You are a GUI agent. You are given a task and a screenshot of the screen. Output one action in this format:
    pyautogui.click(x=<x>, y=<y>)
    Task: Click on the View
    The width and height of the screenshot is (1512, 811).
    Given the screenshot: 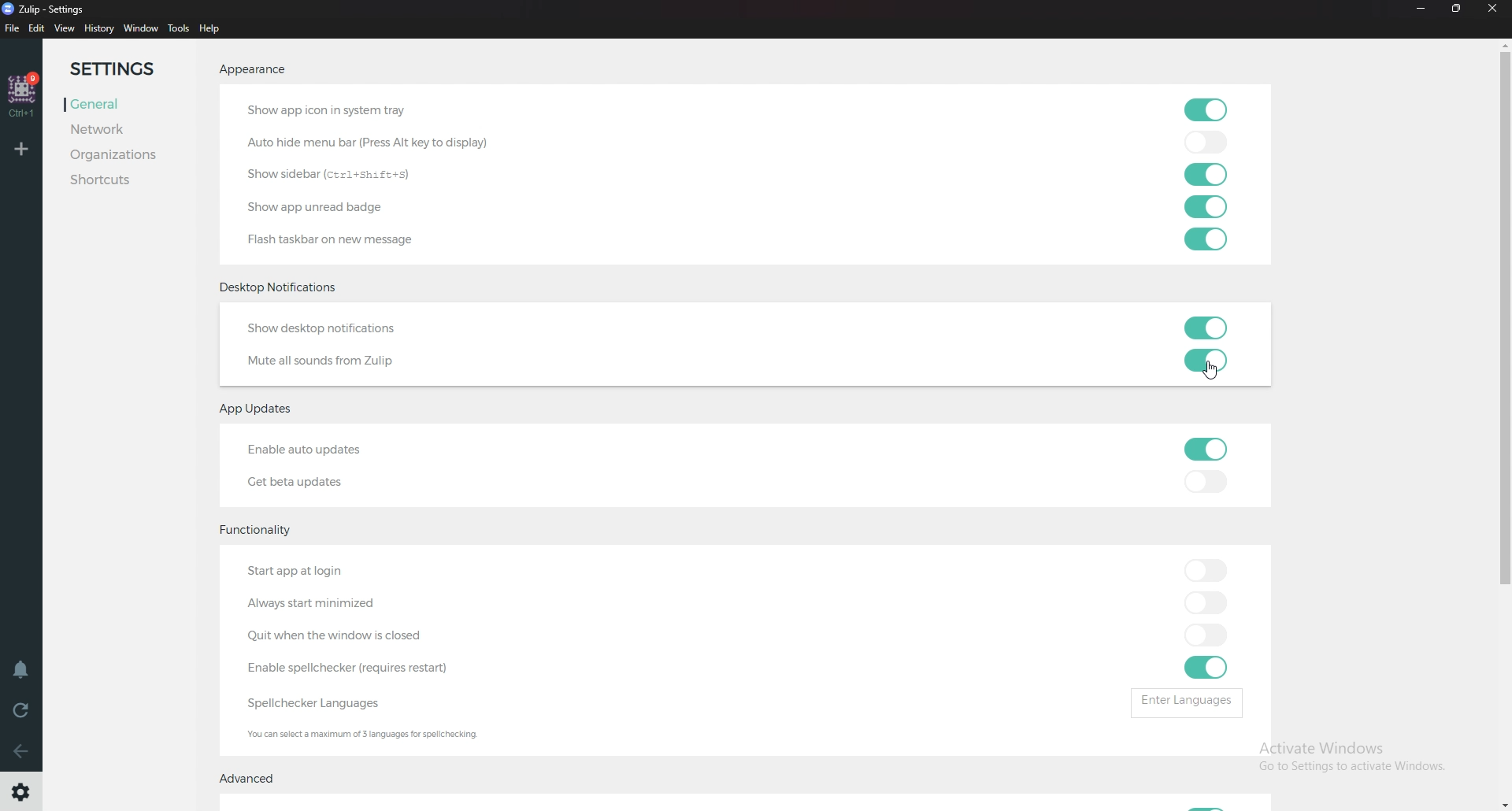 What is the action you would take?
    pyautogui.click(x=65, y=28)
    